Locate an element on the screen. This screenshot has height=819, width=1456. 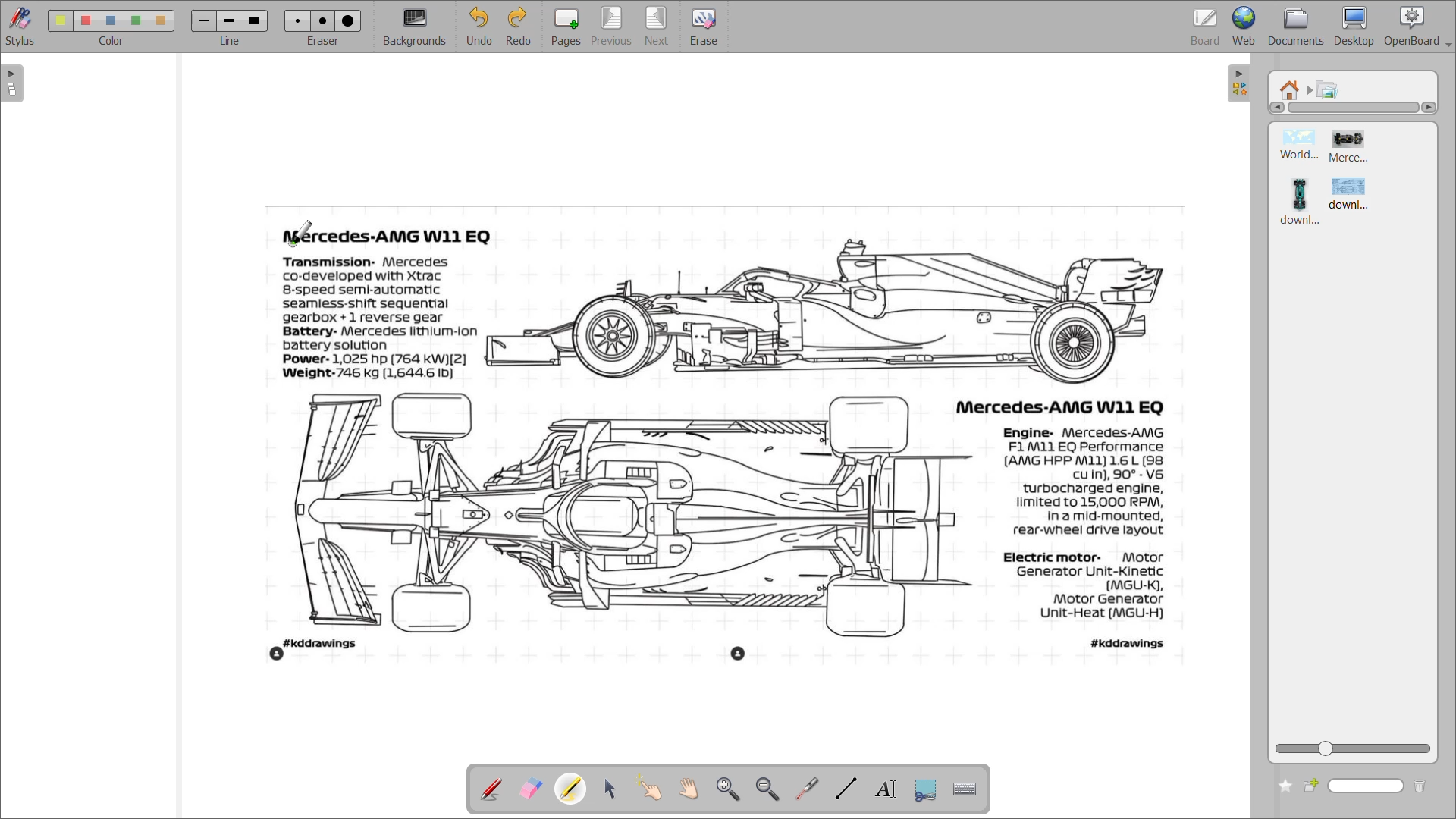
name box is located at coordinates (1369, 786).